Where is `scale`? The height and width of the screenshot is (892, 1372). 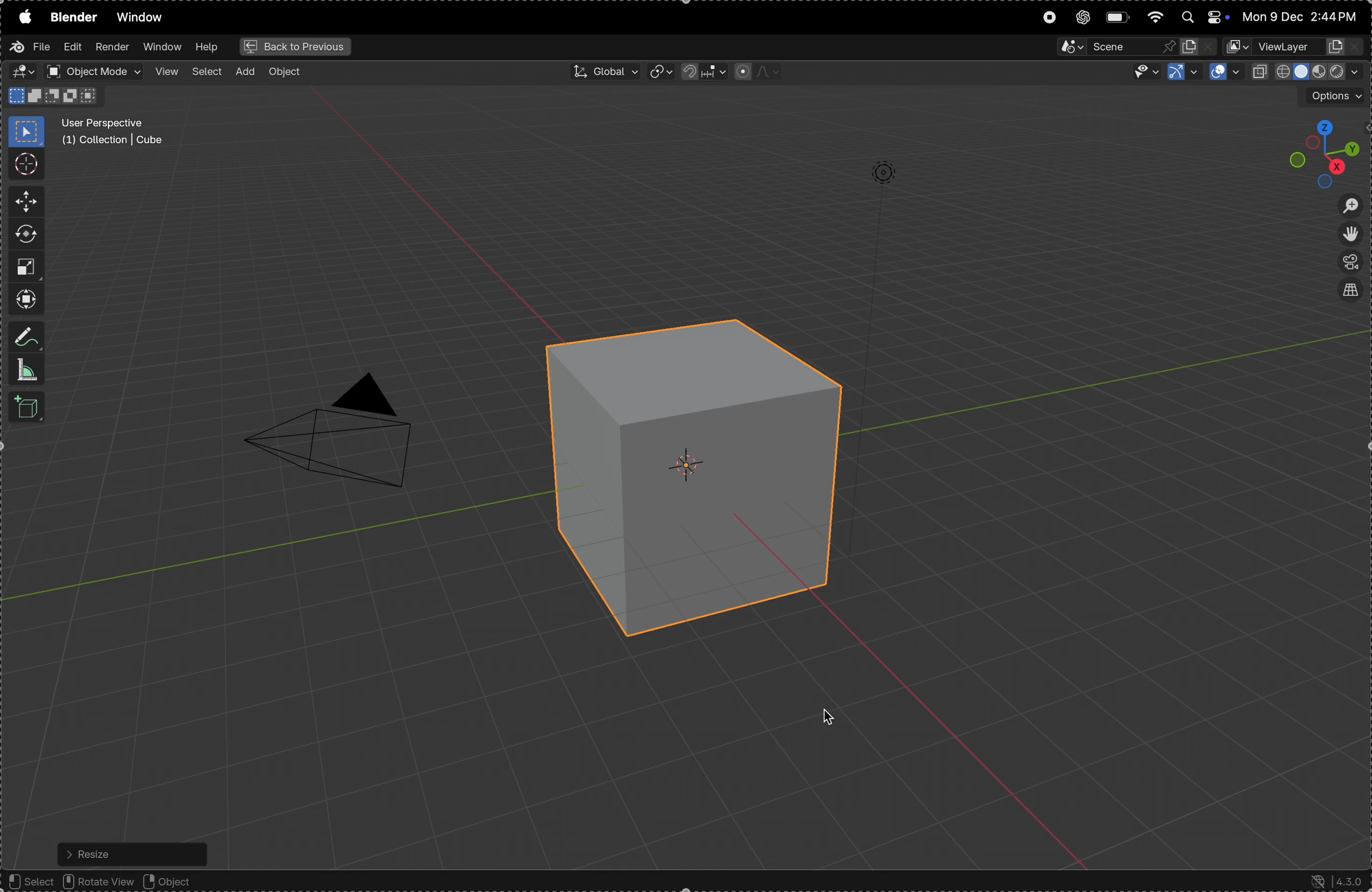
scale is located at coordinates (29, 267).